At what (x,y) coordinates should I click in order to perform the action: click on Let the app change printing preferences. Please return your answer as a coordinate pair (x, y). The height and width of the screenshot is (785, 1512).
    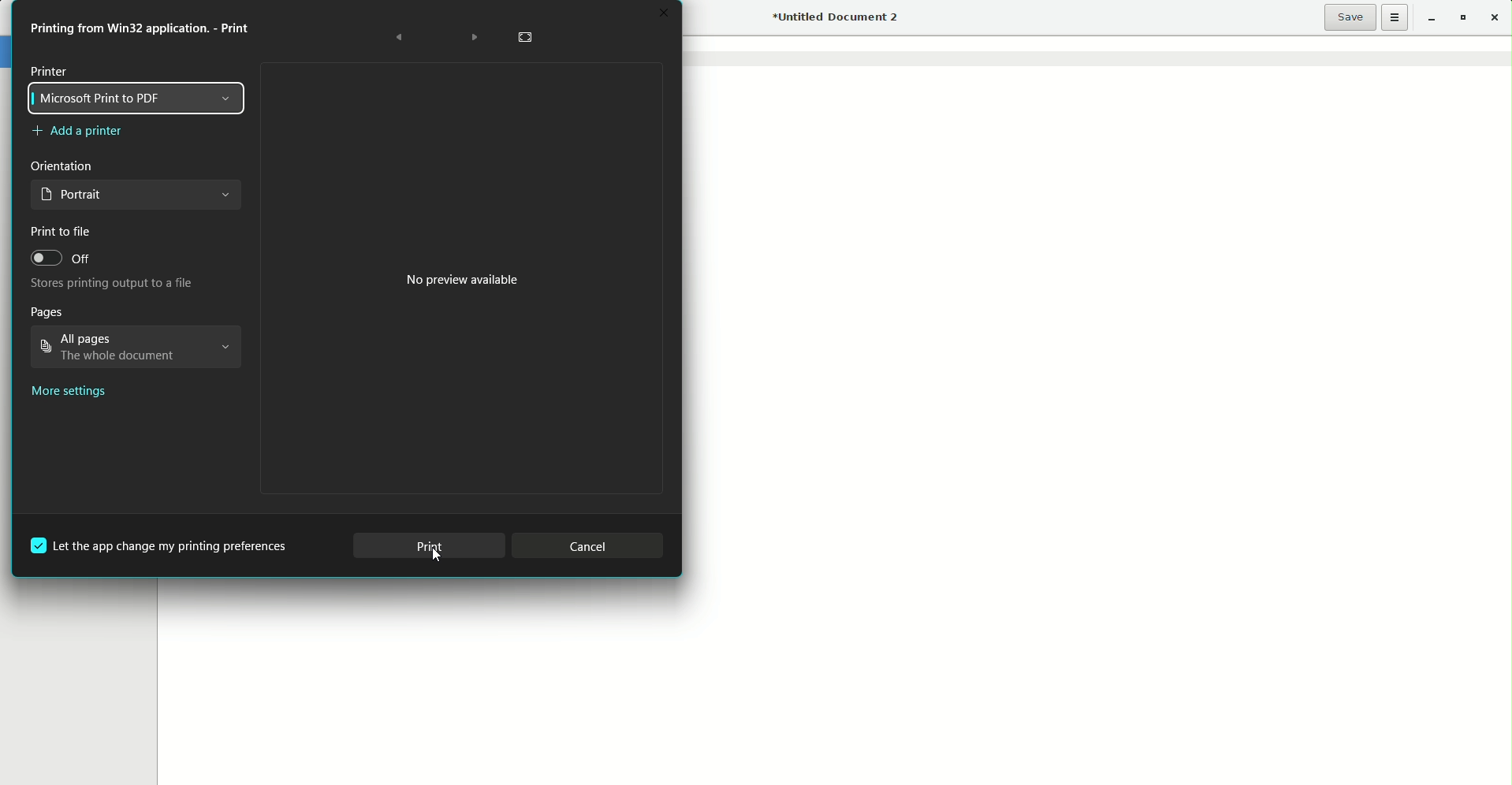
    Looking at the image, I should click on (161, 543).